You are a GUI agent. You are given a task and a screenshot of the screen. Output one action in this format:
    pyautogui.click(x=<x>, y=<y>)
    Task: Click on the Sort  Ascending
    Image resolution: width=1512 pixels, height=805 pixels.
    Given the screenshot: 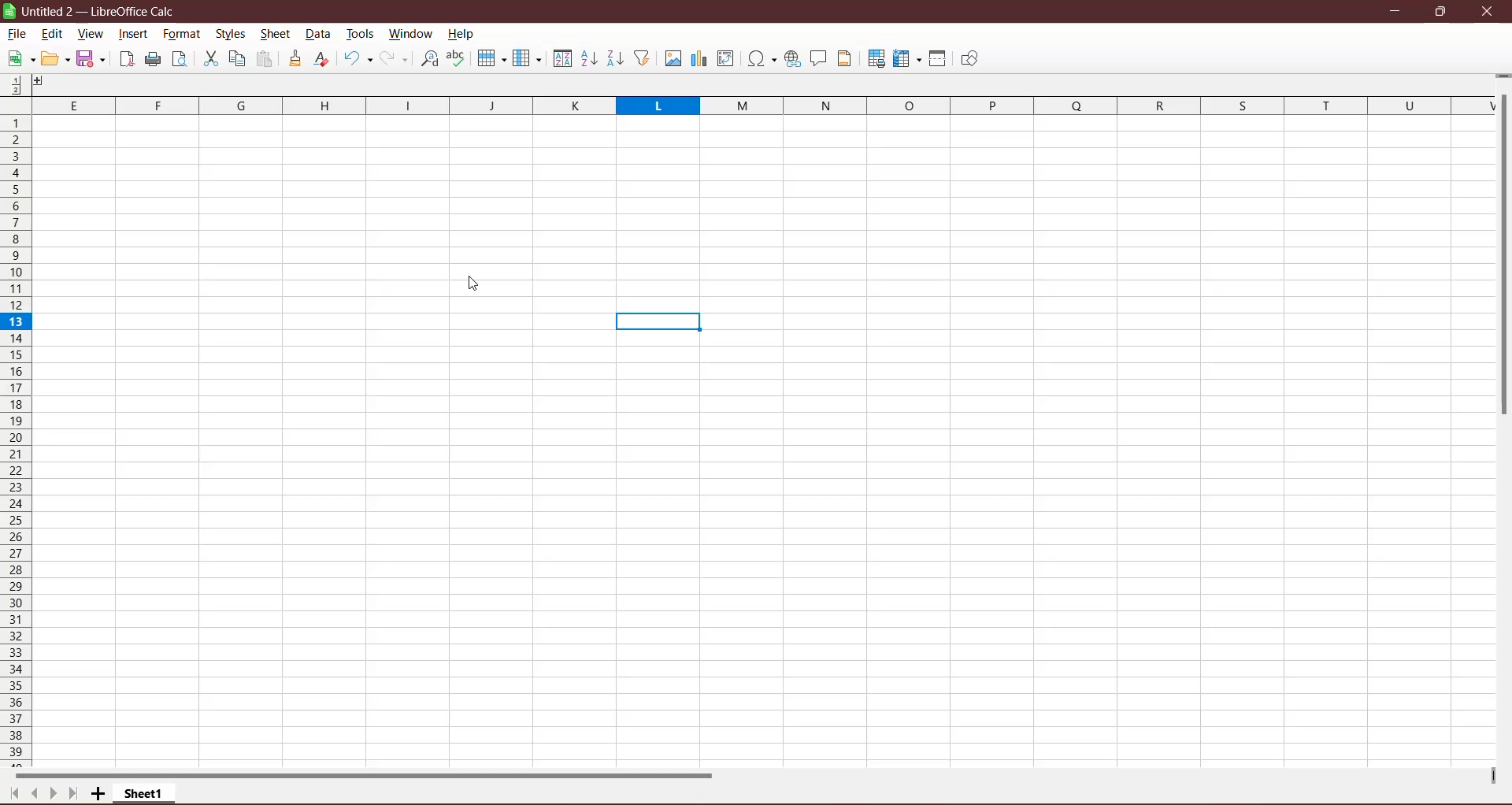 What is the action you would take?
    pyautogui.click(x=588, y=58)
    